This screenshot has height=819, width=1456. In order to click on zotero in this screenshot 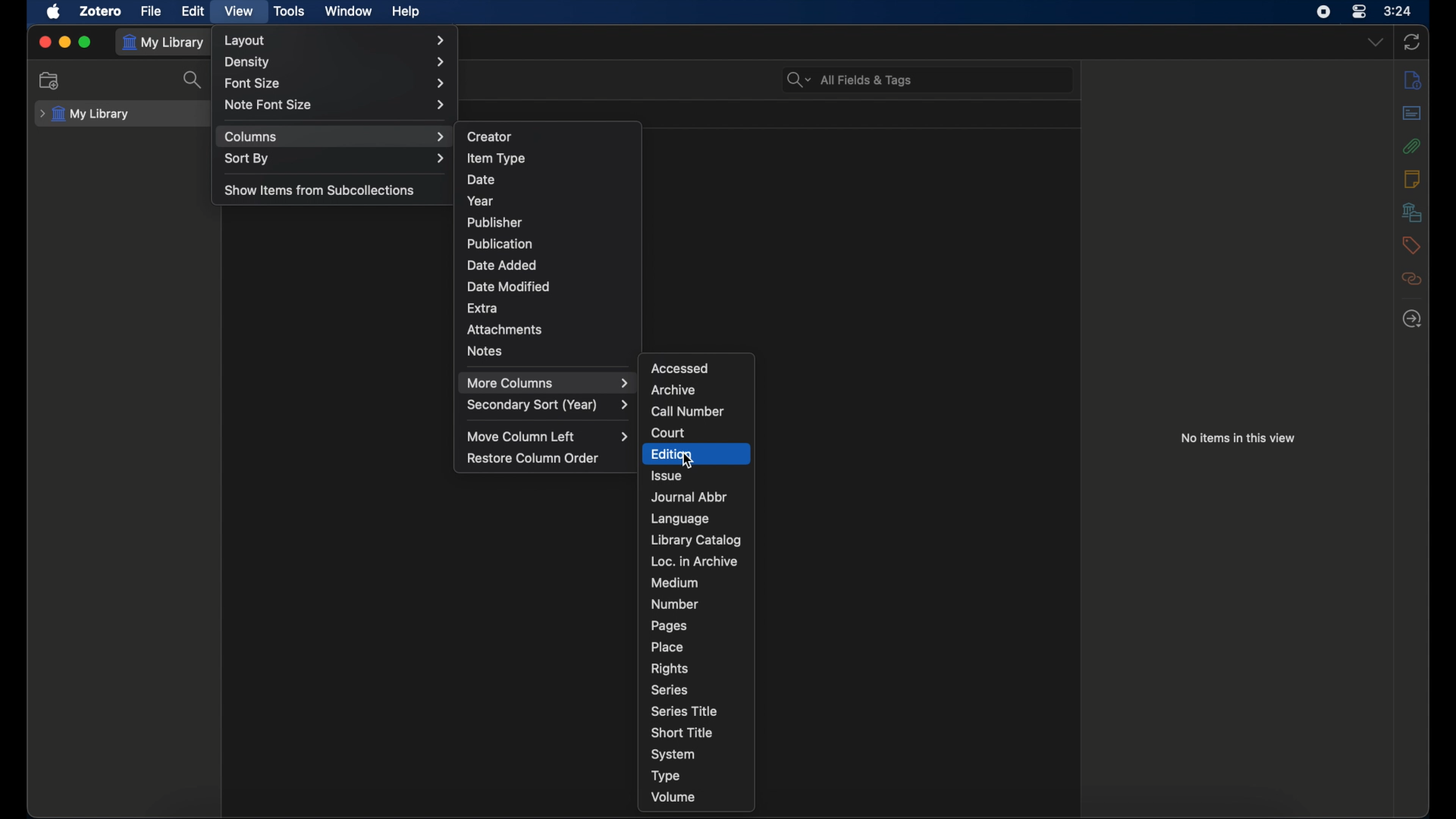, I will do `click(102, 11)`.